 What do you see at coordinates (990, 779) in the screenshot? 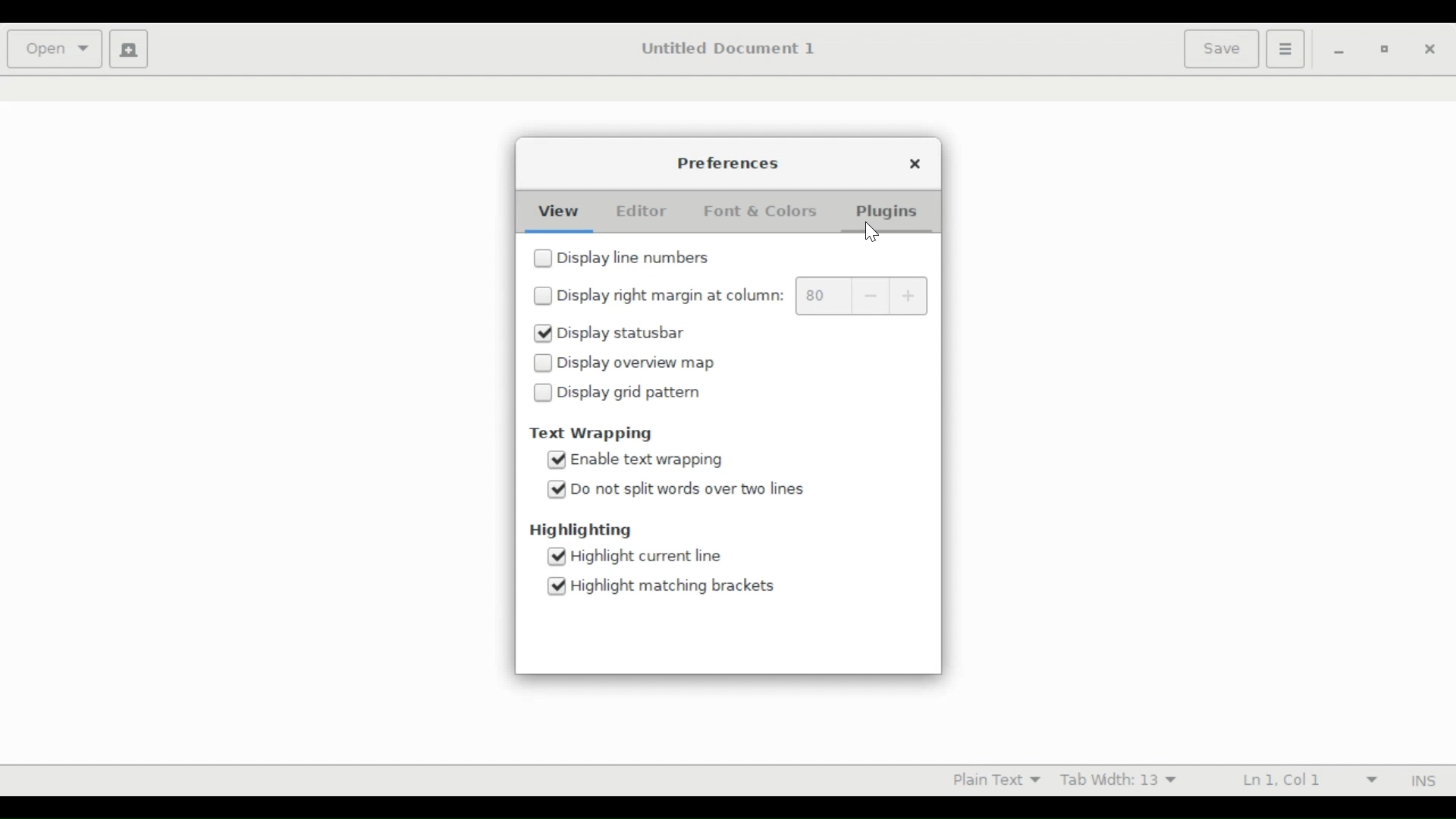
I see `Plain Text` at bounding box center [990, 779].